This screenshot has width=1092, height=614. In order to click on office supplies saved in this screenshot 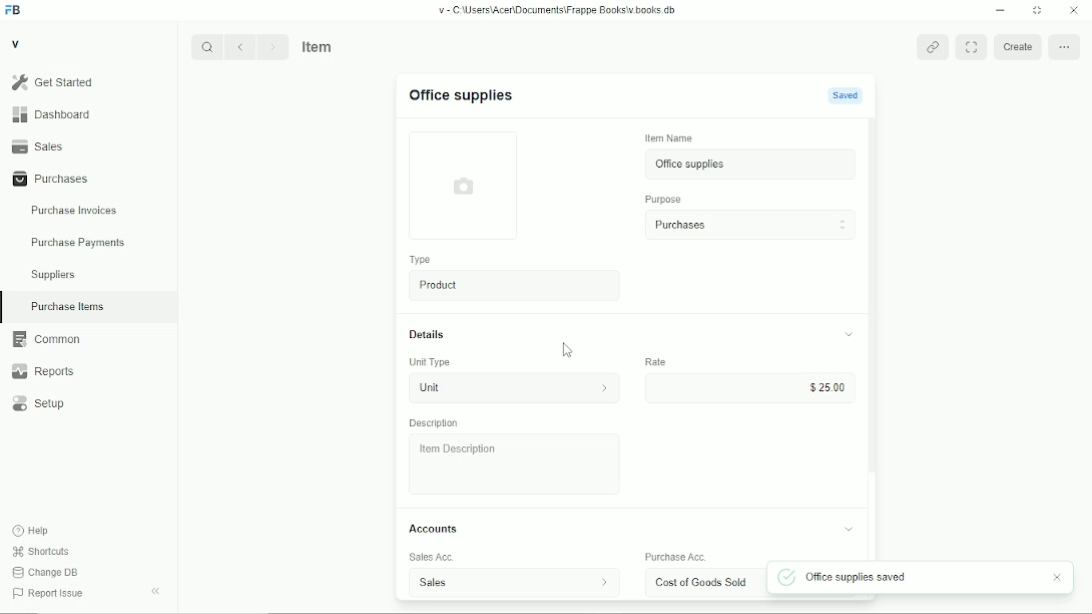, I will do `click(847, 578)`.